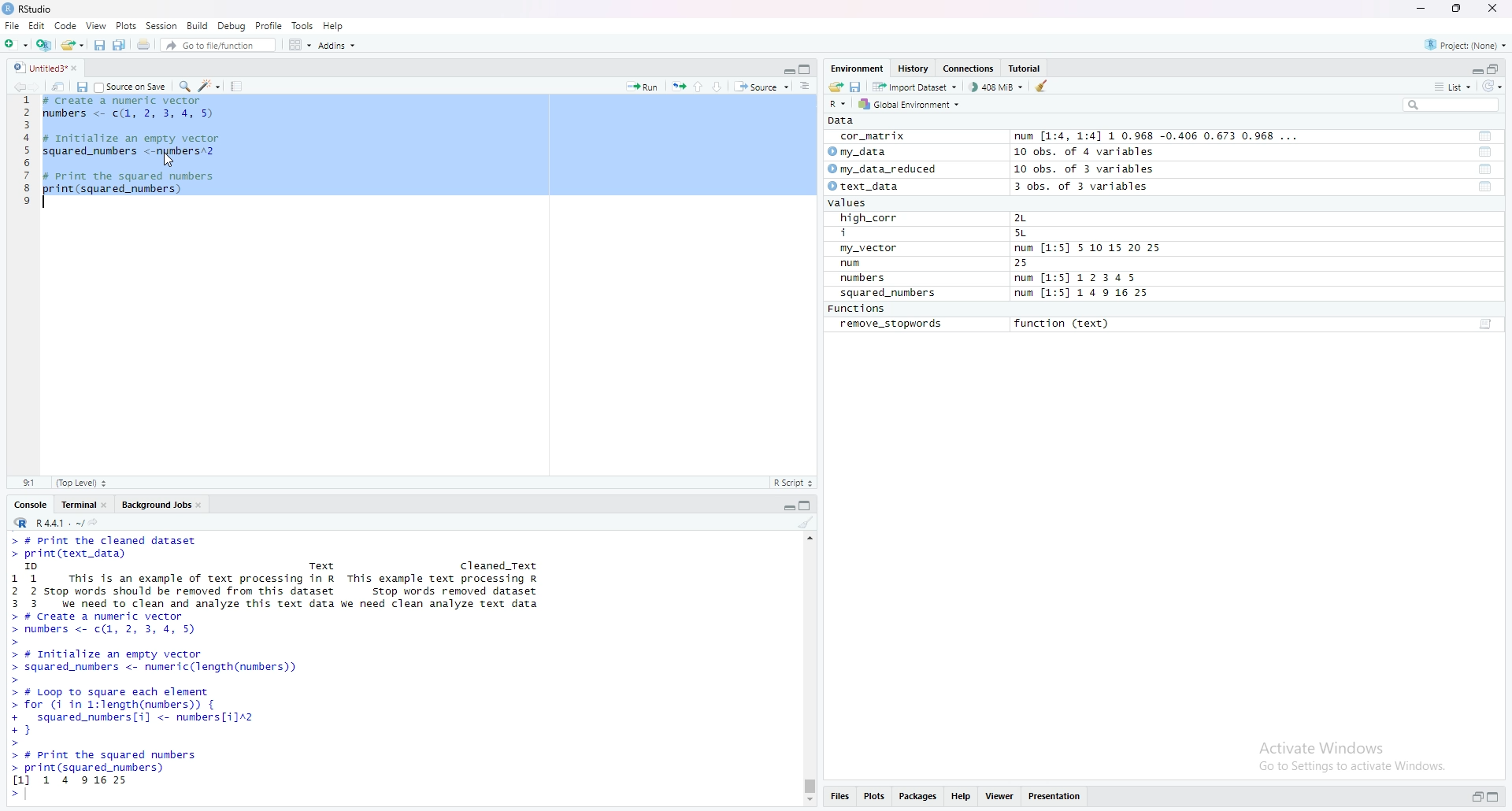 This screenshot has width=1512, height=811. What do you see at coordinates (718, 86) in the screenshot?
I see `down` at bounding box center [718, 86].